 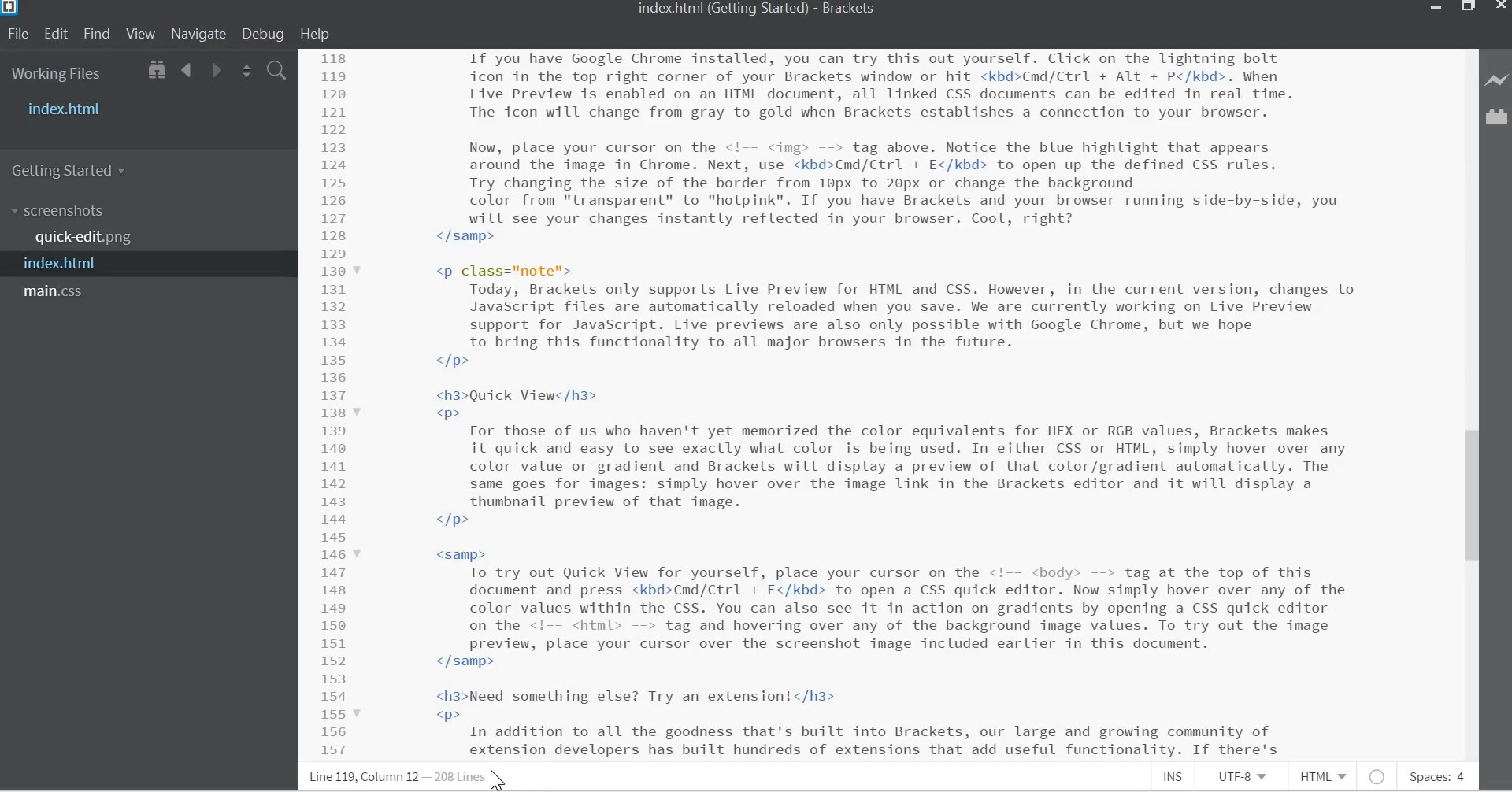 I want to click on Brackets, so click(x=850, y=9).